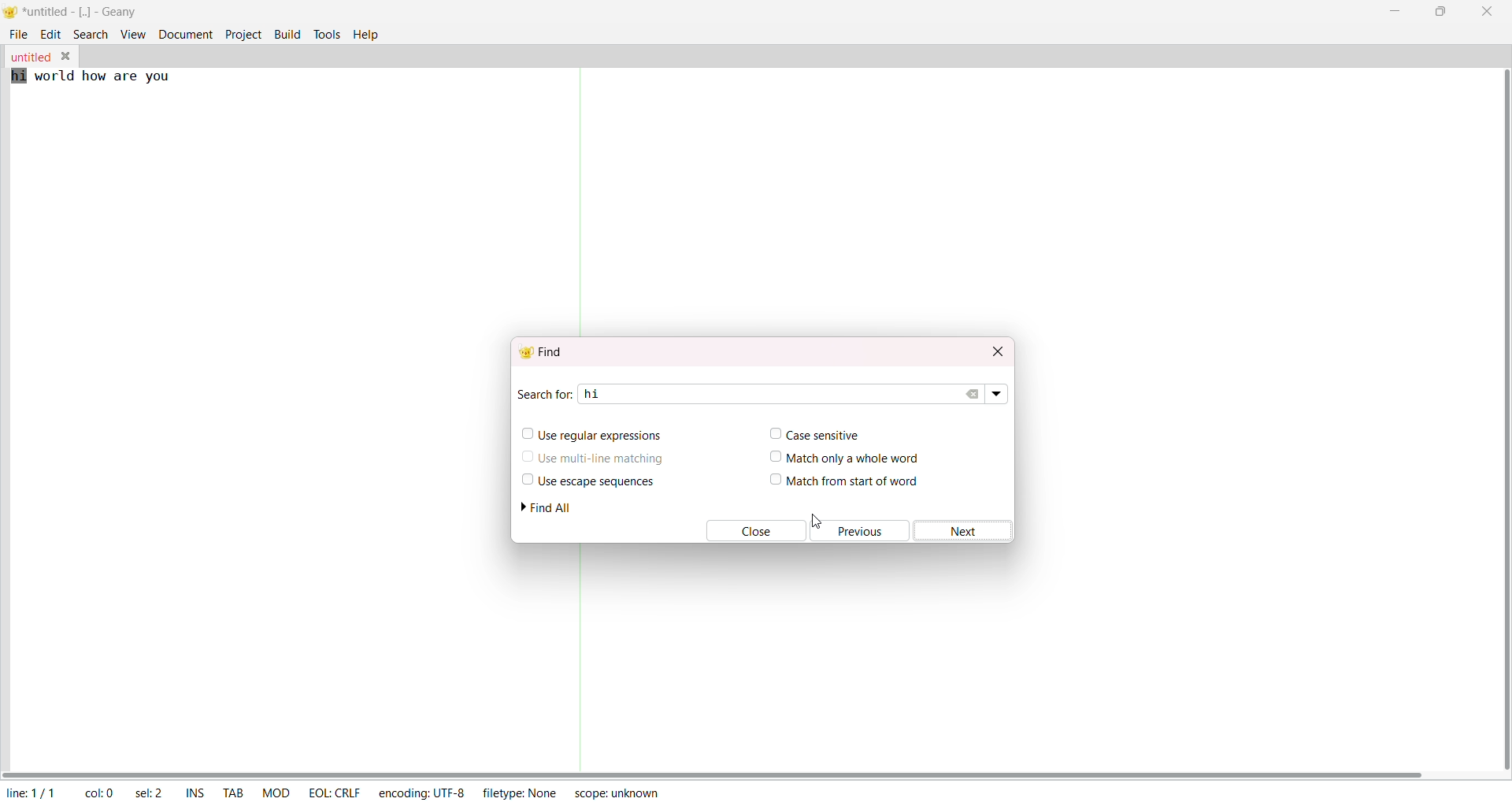 This screenshot has width=1512, height=802. I want to click on untitled, so click(29, 54).